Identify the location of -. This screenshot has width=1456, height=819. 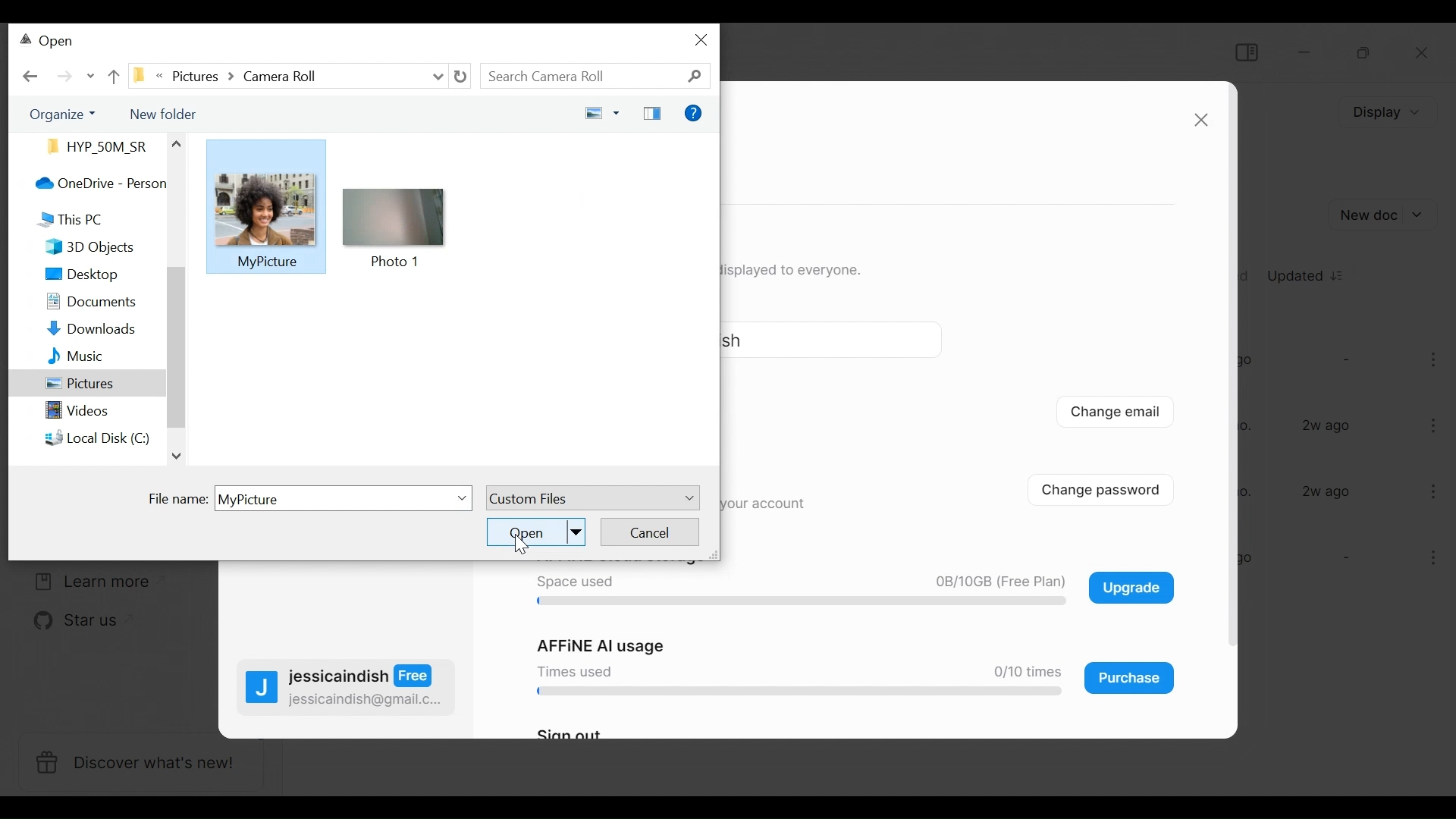
(1345, 359).